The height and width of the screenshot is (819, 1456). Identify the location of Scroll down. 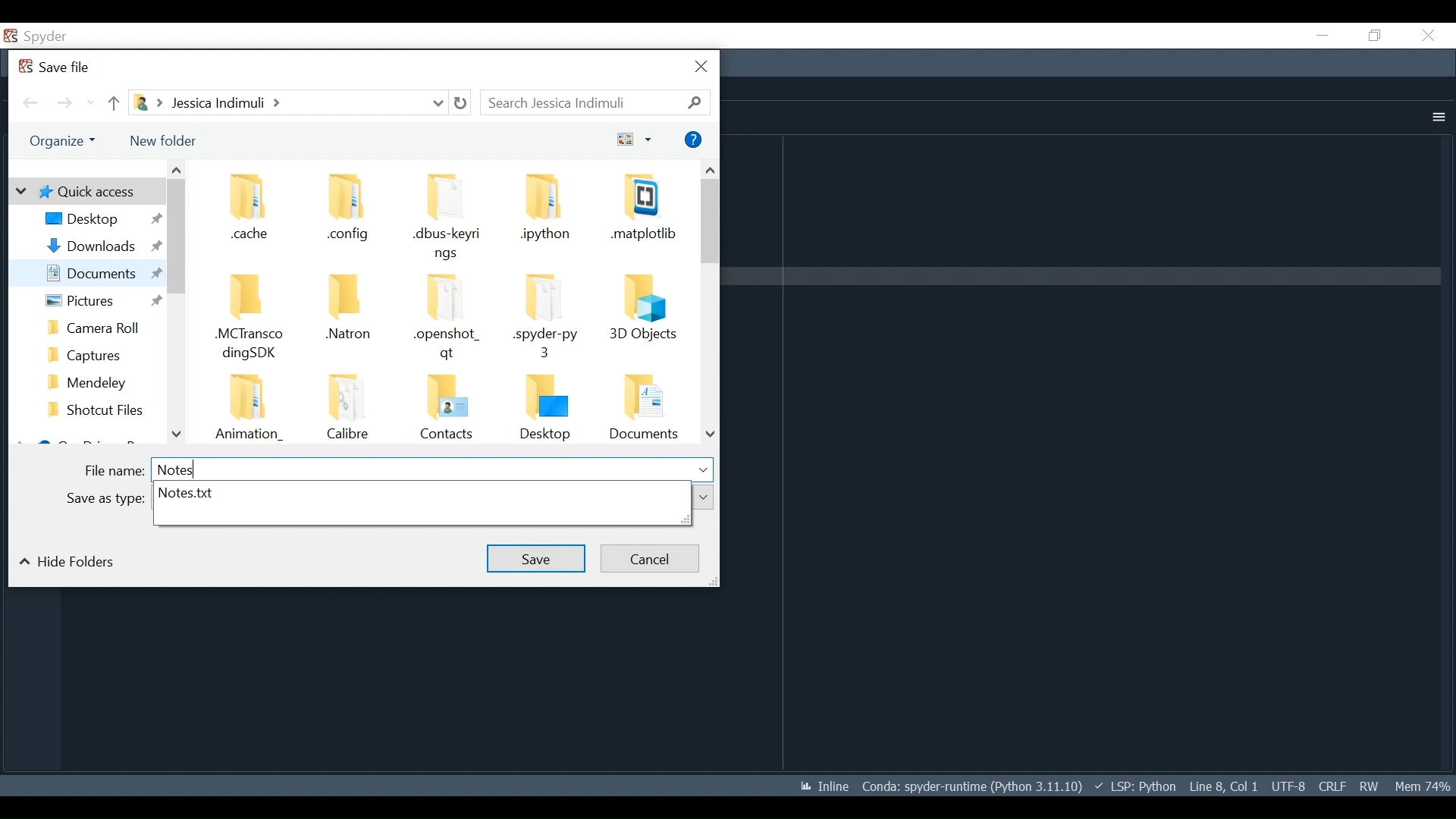
(711, 433).